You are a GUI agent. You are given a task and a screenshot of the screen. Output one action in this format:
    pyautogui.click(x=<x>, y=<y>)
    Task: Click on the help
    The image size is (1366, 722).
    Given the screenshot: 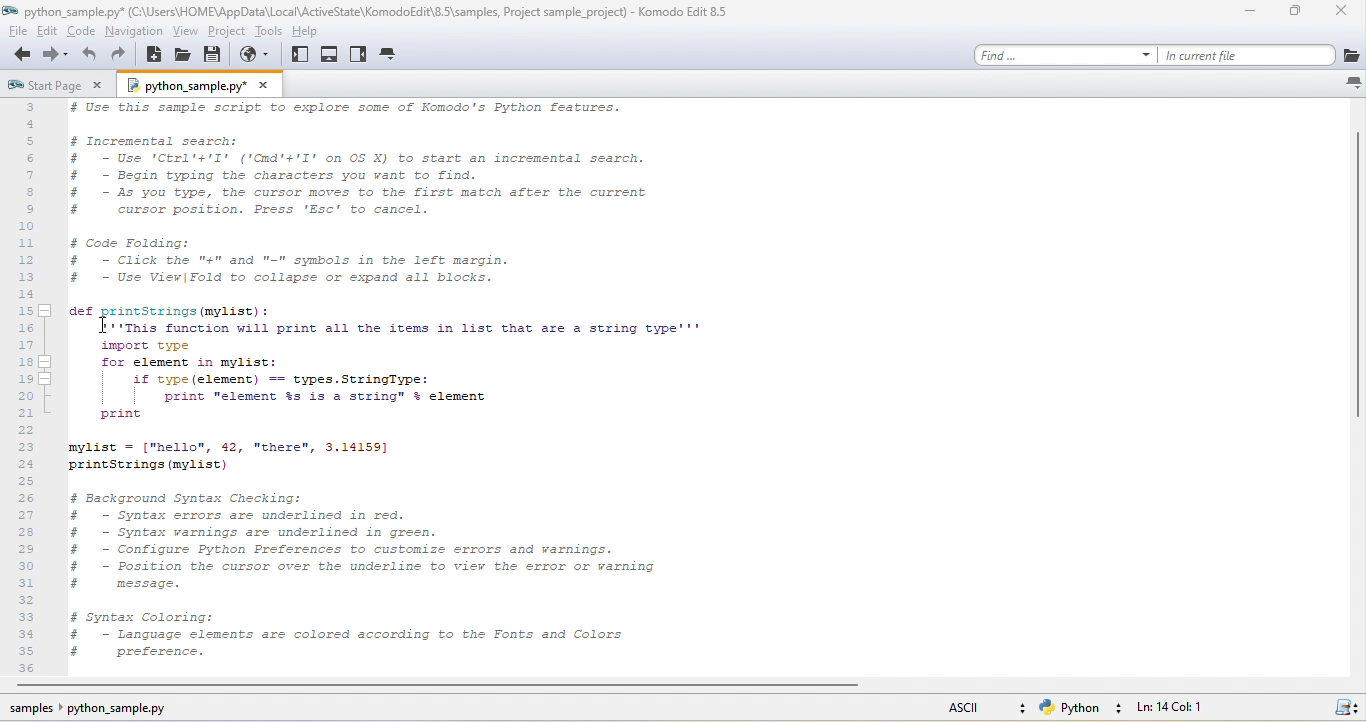 What is the action you would take?
    pyautogui.click(x=313, y=35)
    